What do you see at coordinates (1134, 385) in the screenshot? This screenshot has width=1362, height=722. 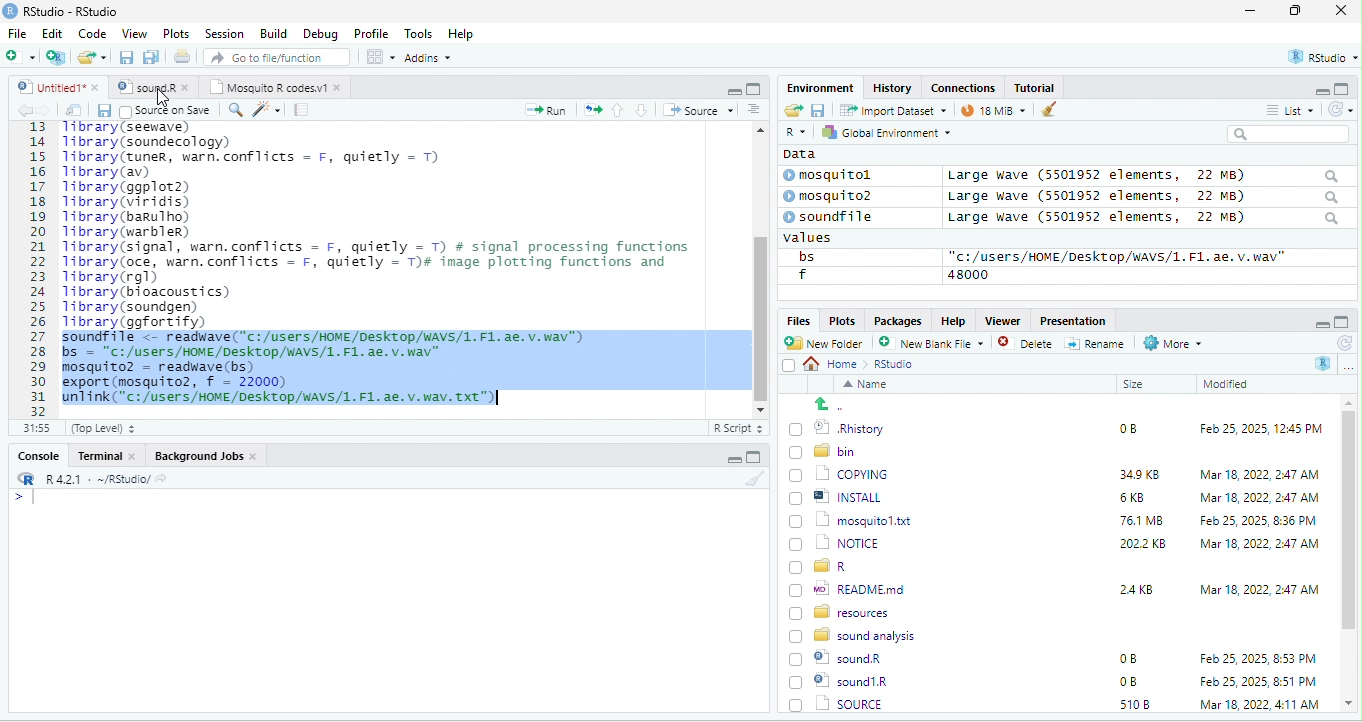 I see `Size` at bounding box center [1134, 385].